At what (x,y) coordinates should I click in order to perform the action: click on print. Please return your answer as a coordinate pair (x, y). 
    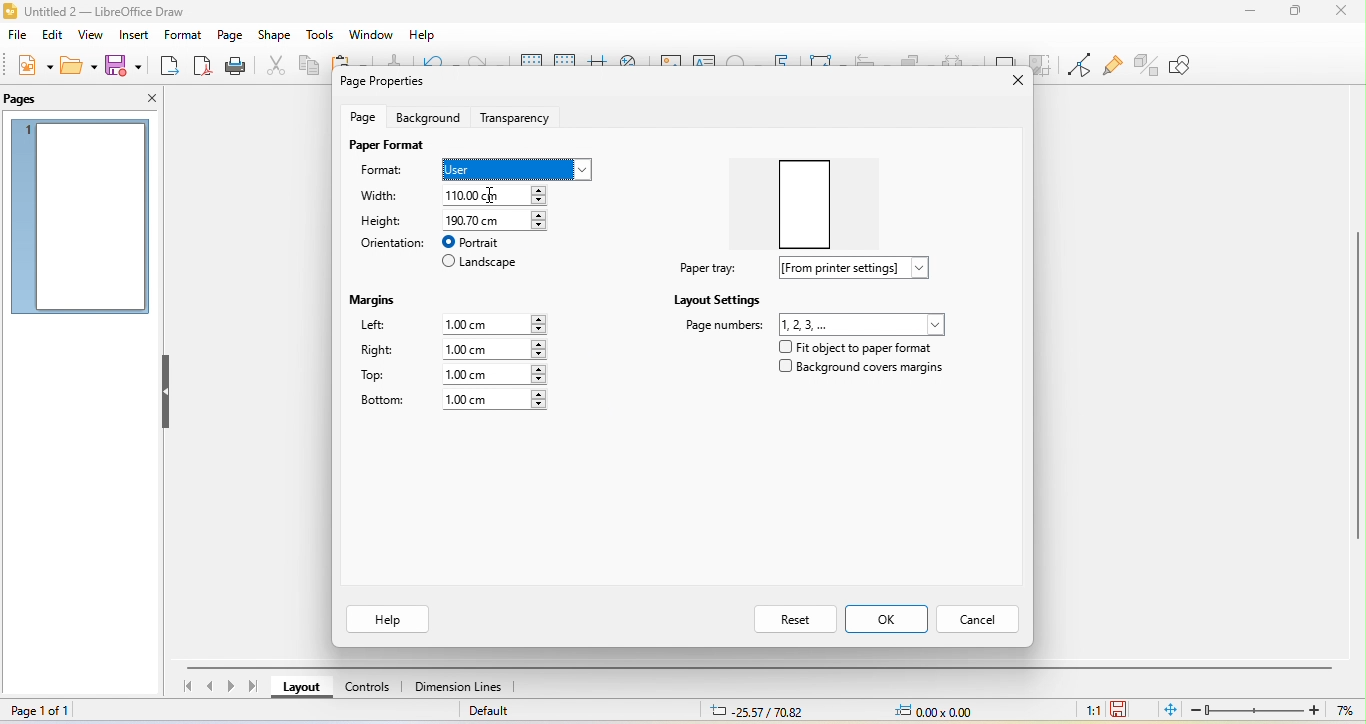
    Looking at the image, I should click on (234, 66).